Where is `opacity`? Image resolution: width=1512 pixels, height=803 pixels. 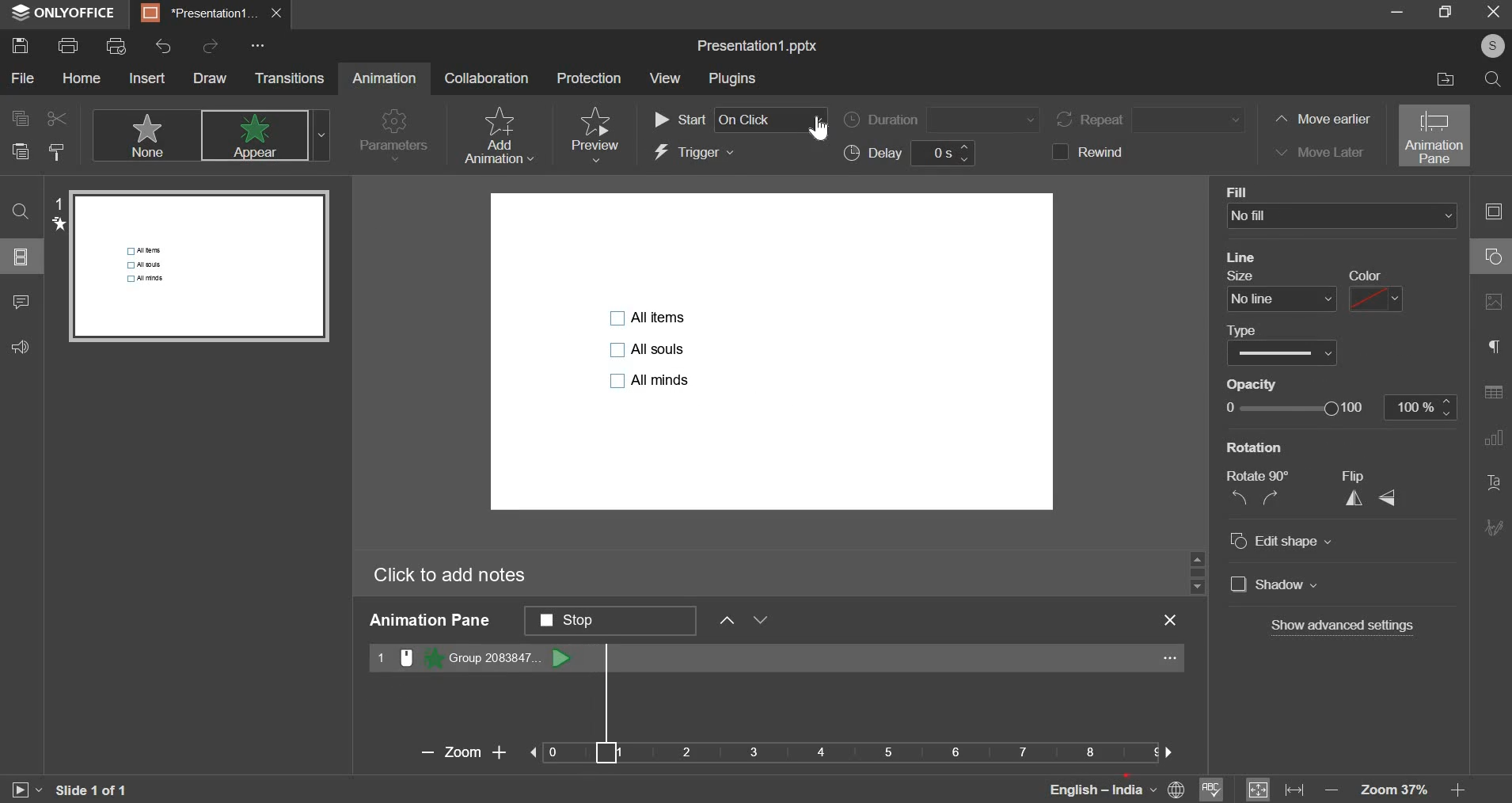 opacity is located at coordinates (1341, 408).